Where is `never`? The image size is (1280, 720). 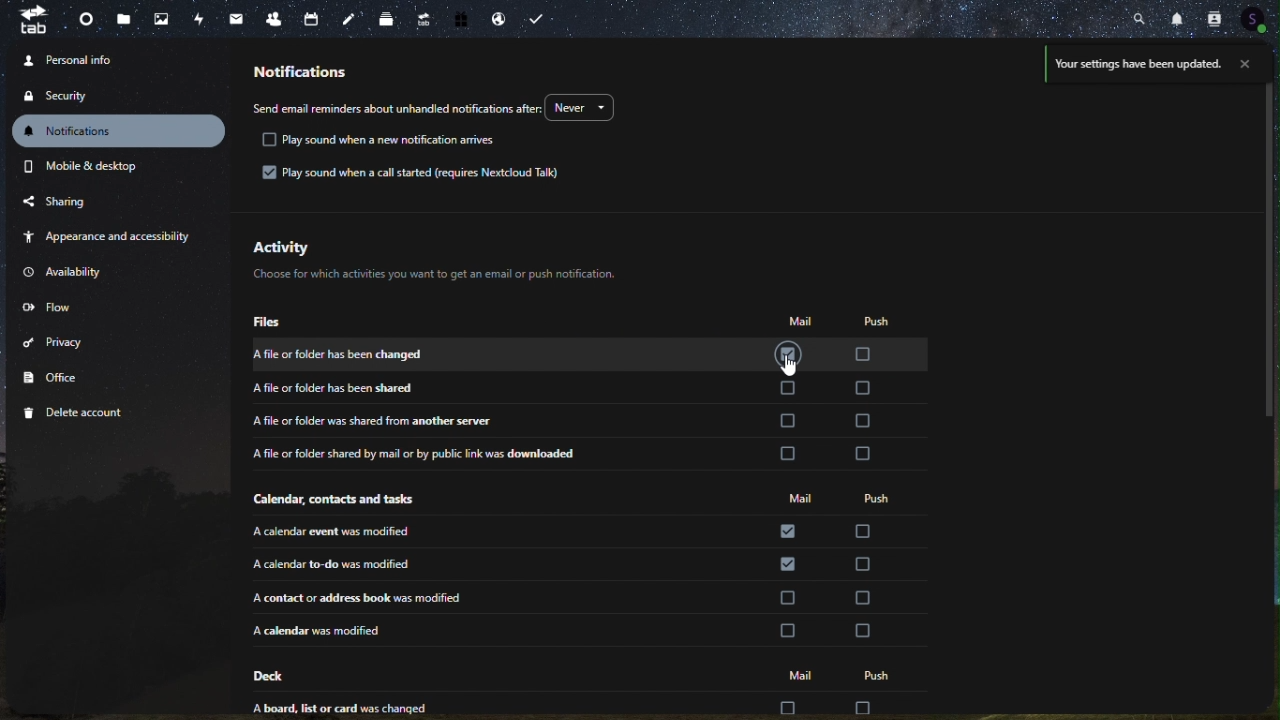 never is located at coordinates (582, 109).